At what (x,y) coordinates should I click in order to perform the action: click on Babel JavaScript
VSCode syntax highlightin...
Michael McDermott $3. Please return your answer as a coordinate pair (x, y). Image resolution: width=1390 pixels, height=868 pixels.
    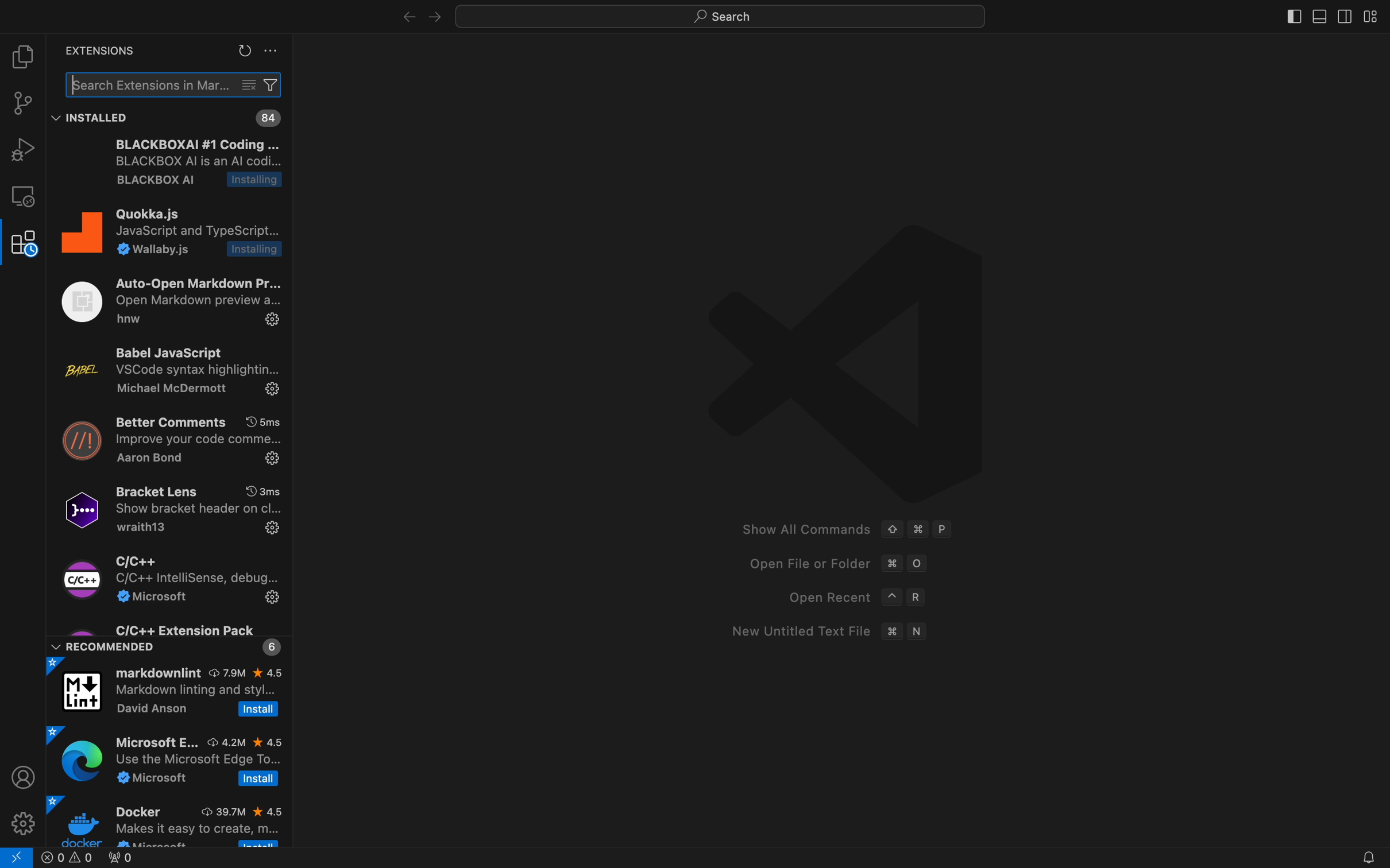
    Looking at the image, I should click on (169, 370).